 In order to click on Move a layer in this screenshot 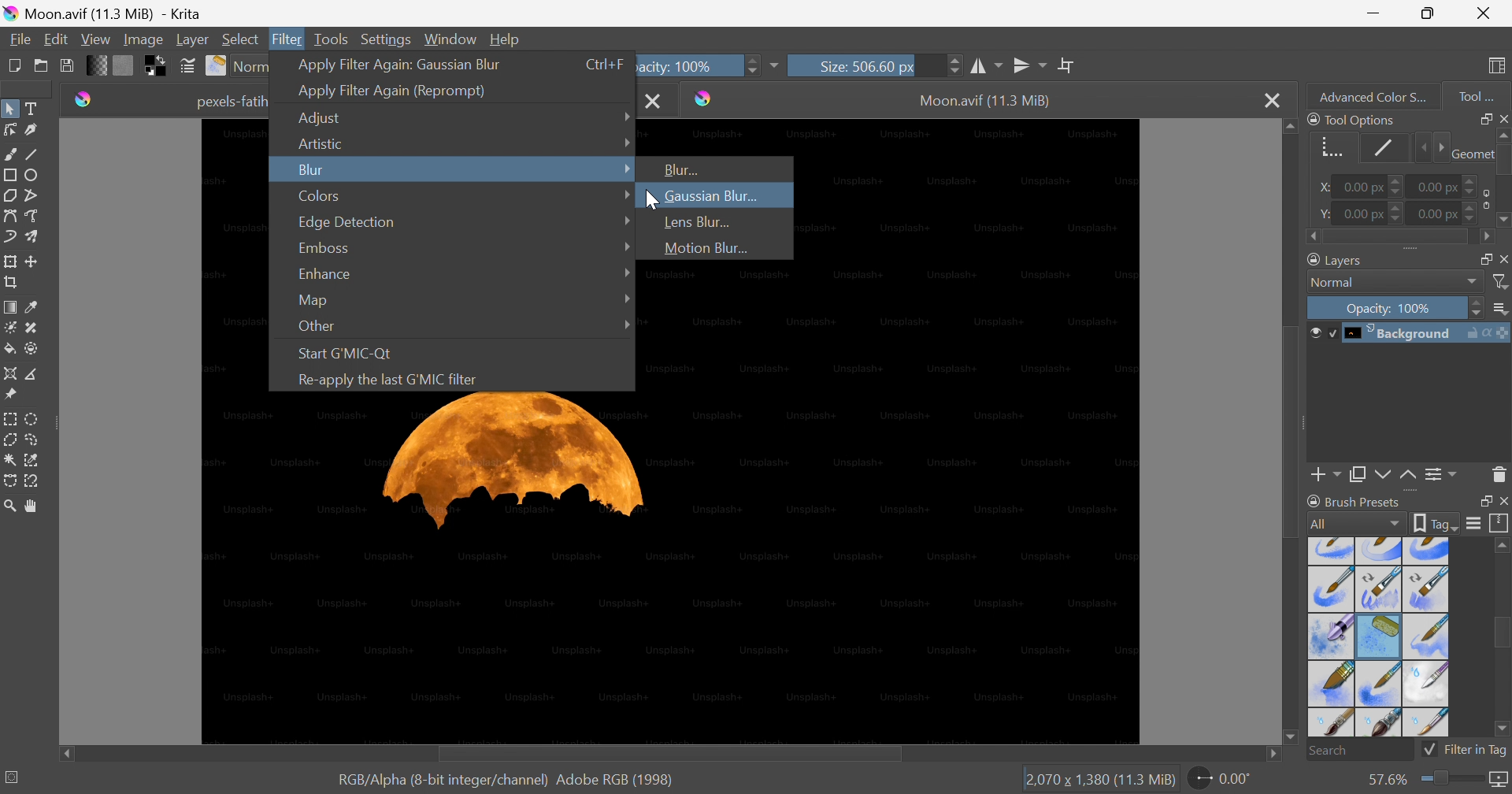, I will do `click(32, 259)`.